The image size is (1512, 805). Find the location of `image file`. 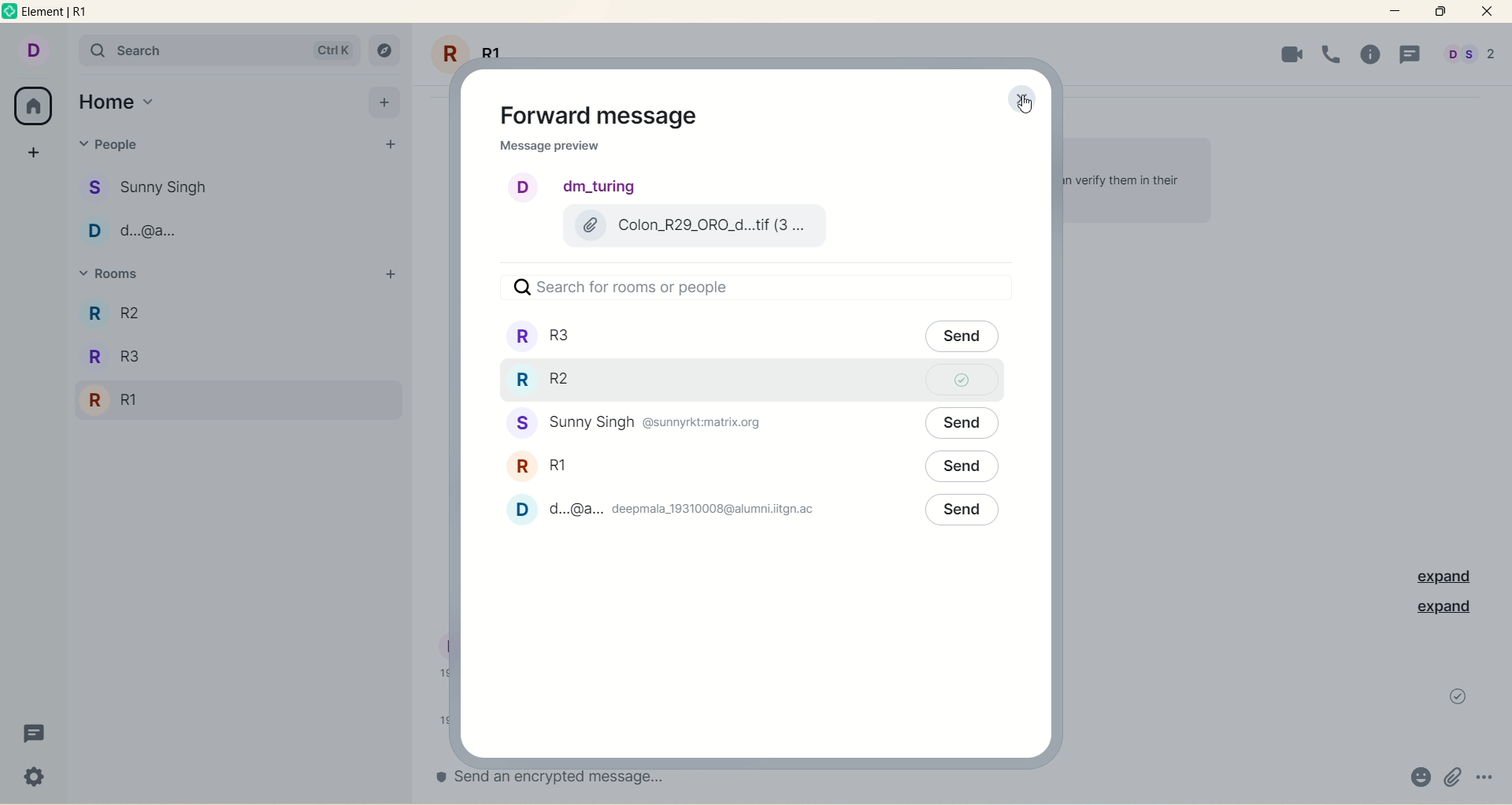

image file is located at coordinates (691, 226).